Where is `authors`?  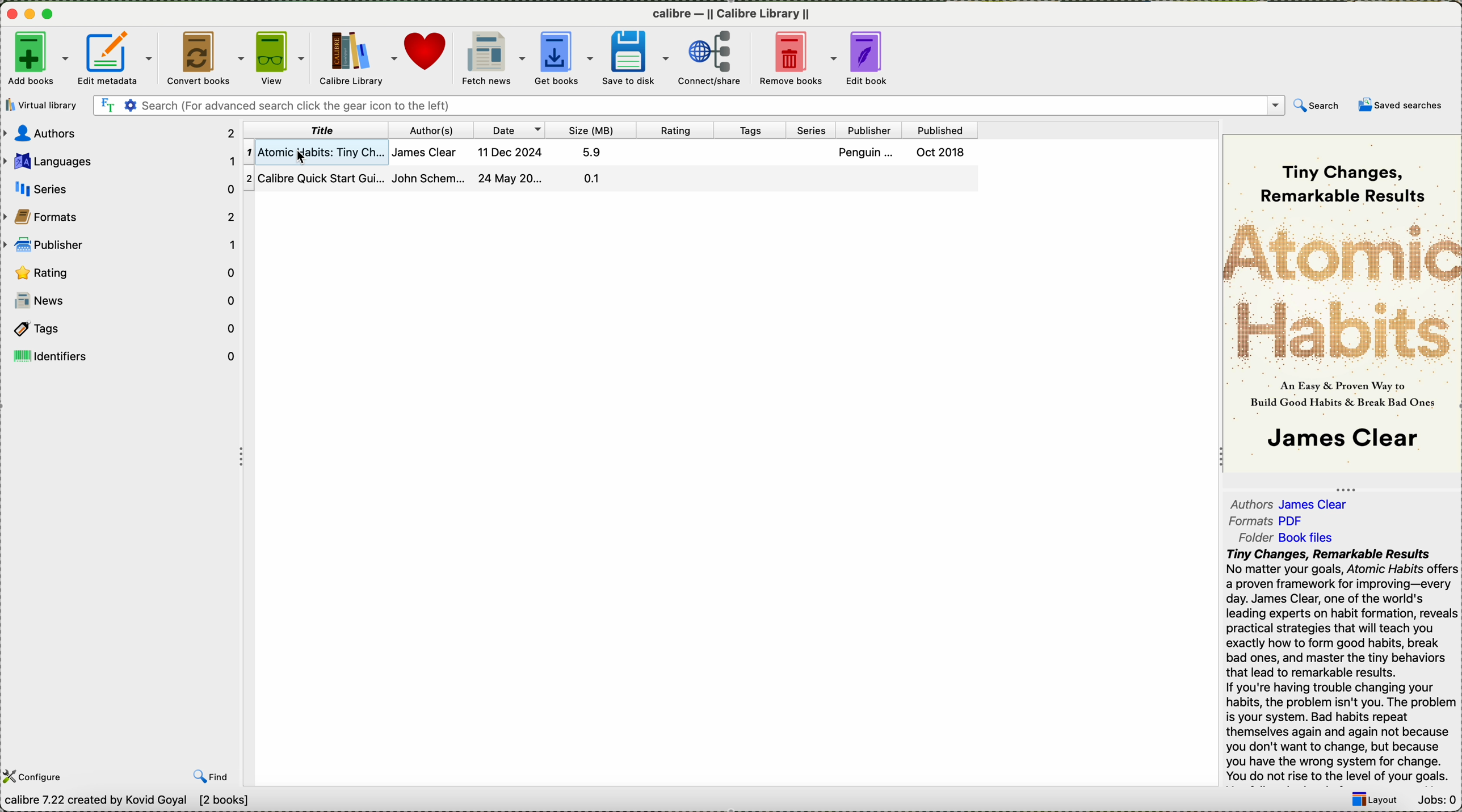
authors is located at coordinates (119, 133).